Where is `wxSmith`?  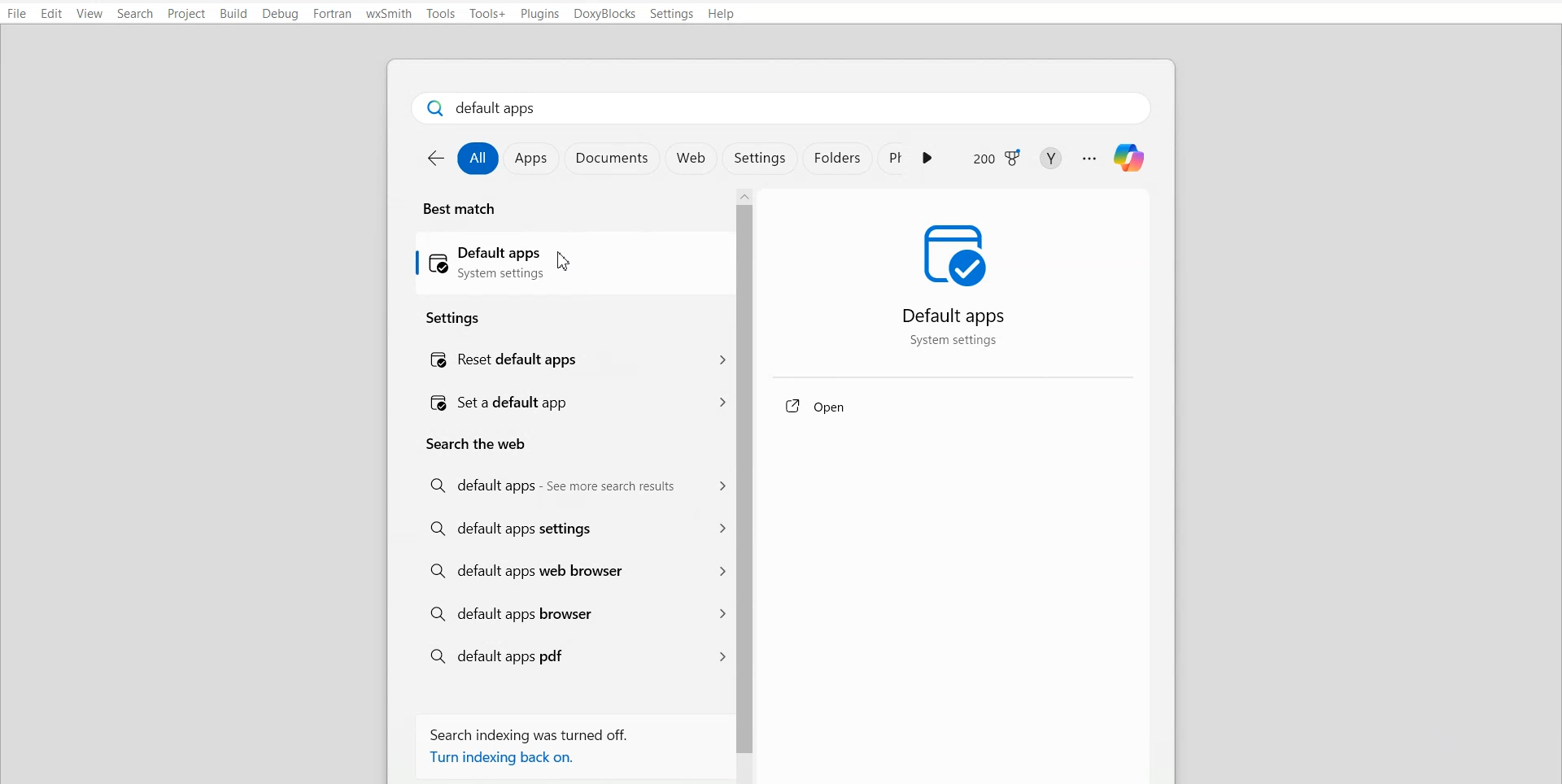 wxSmith is located at coordinates (389, 13).